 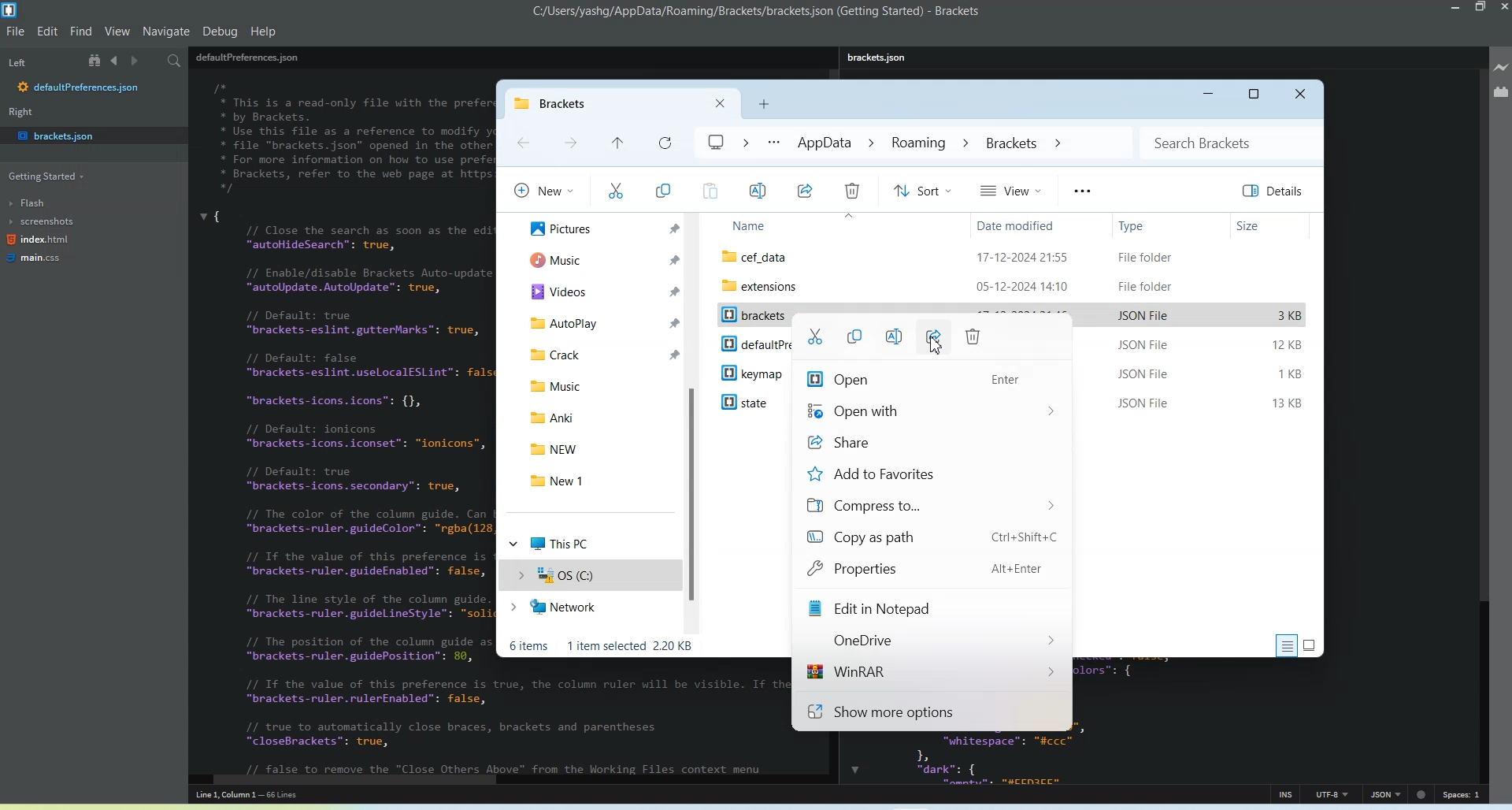 What do you see at coordinates (750, 405) in the screenshot?
I see `state` at bounding box center [750, 405].